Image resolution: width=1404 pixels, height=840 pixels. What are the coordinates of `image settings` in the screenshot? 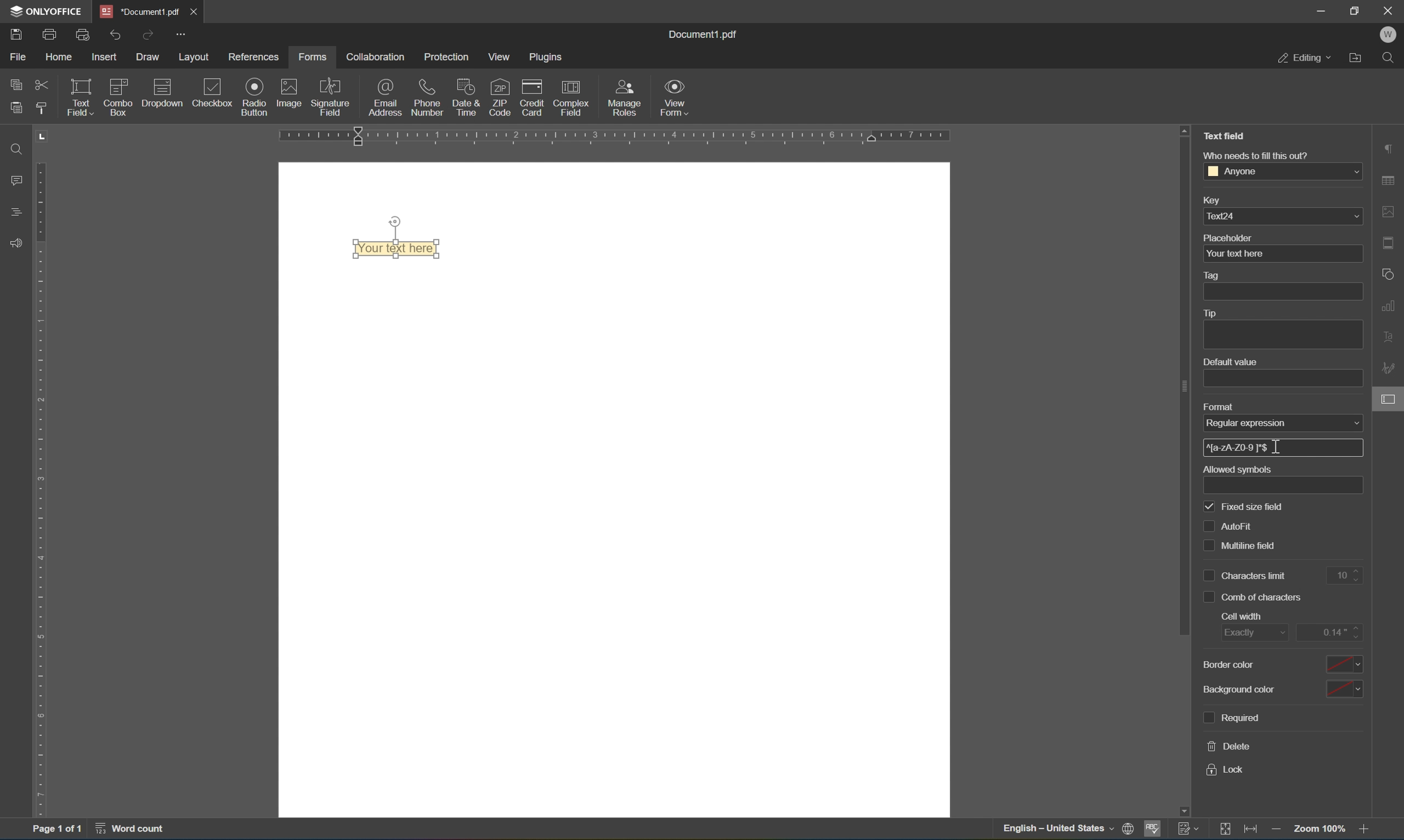 It's located at (1389, 212).